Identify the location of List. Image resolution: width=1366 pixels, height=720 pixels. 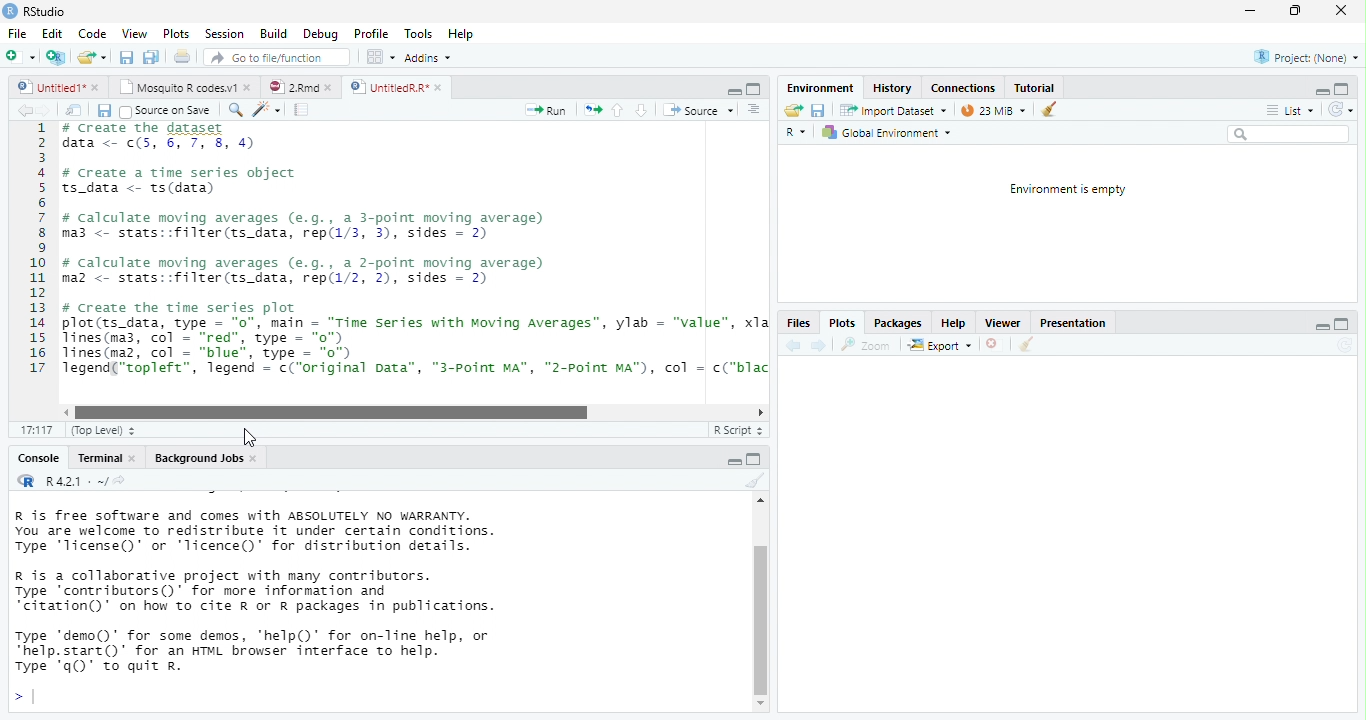
(1289, 111).